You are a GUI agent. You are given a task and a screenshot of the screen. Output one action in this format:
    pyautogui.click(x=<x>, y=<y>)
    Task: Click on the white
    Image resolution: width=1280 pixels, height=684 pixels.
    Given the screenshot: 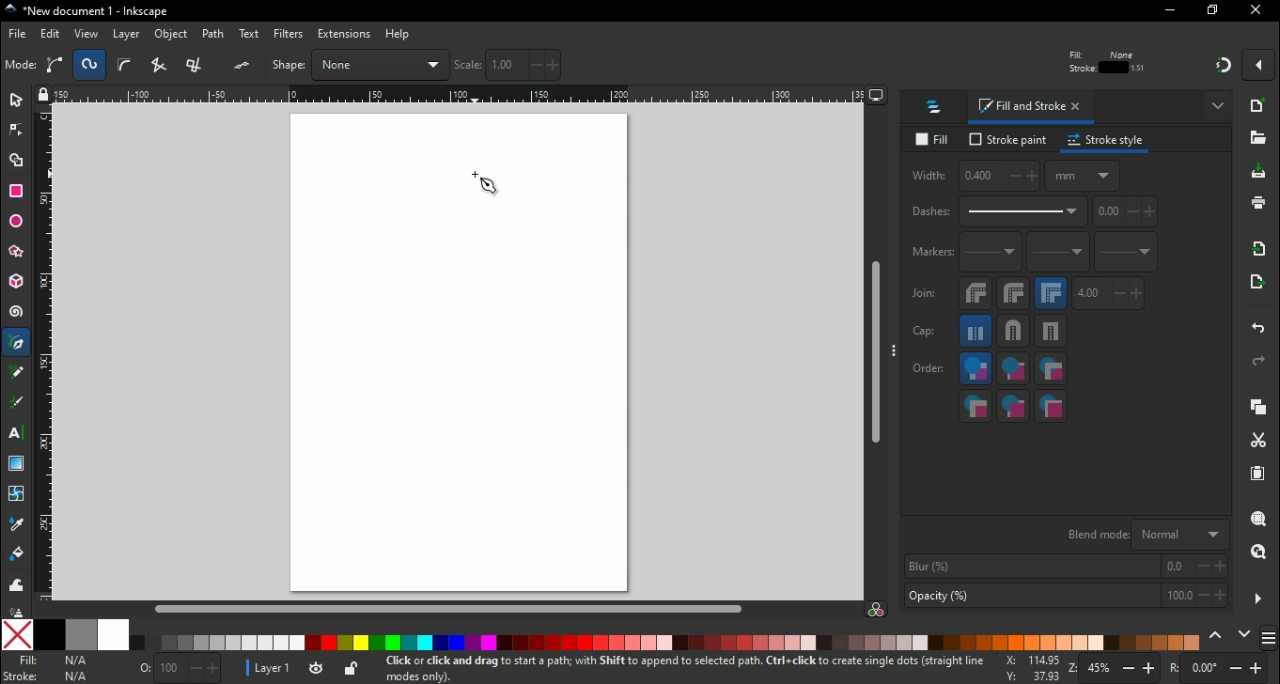 What is the action you would take?
    pyautogui.click(x=113, y=635)
    